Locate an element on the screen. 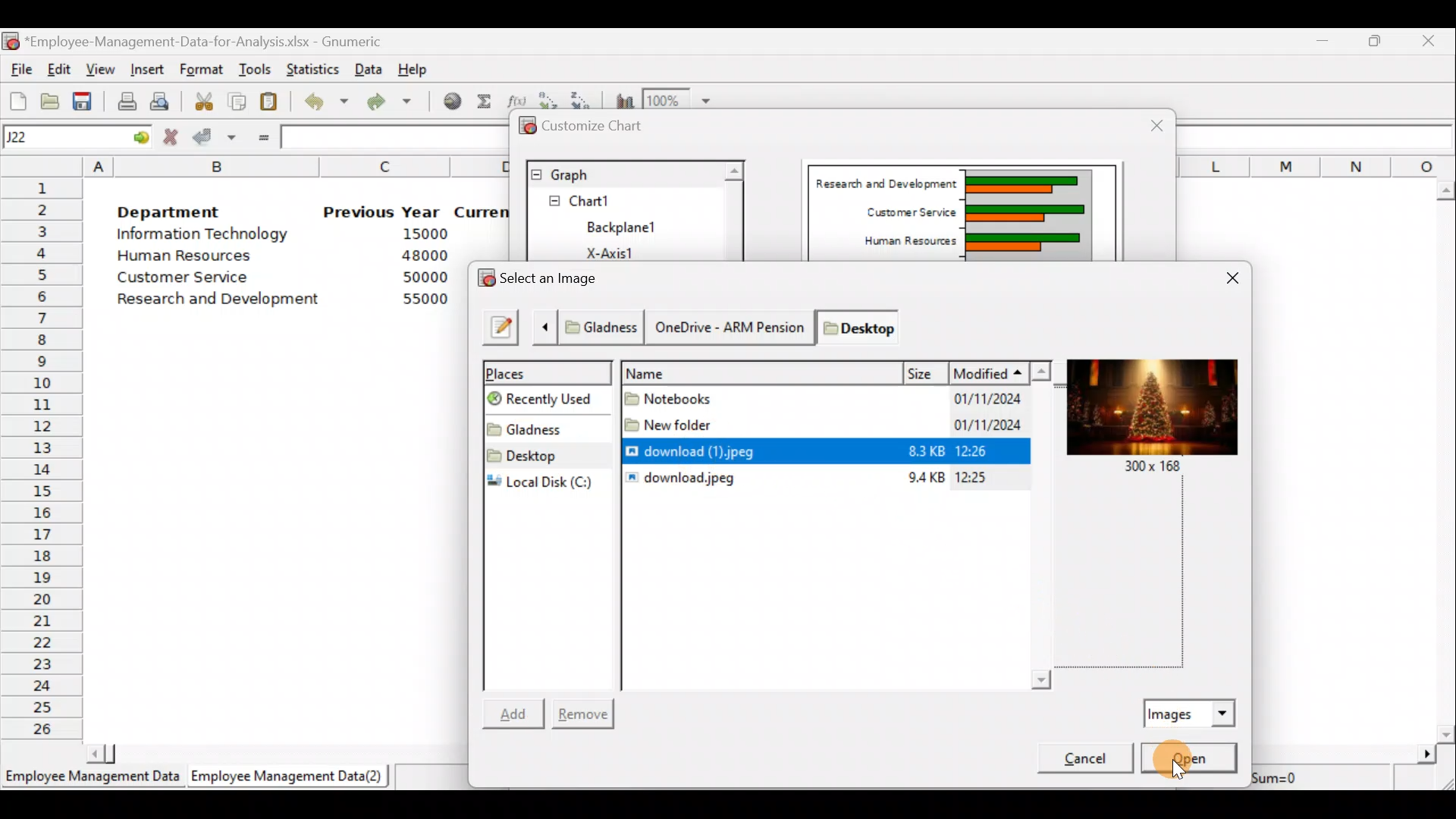 The height and width of the screenshot is (819, 1456). download (1).jpeg is located at coordinates (700, 449).